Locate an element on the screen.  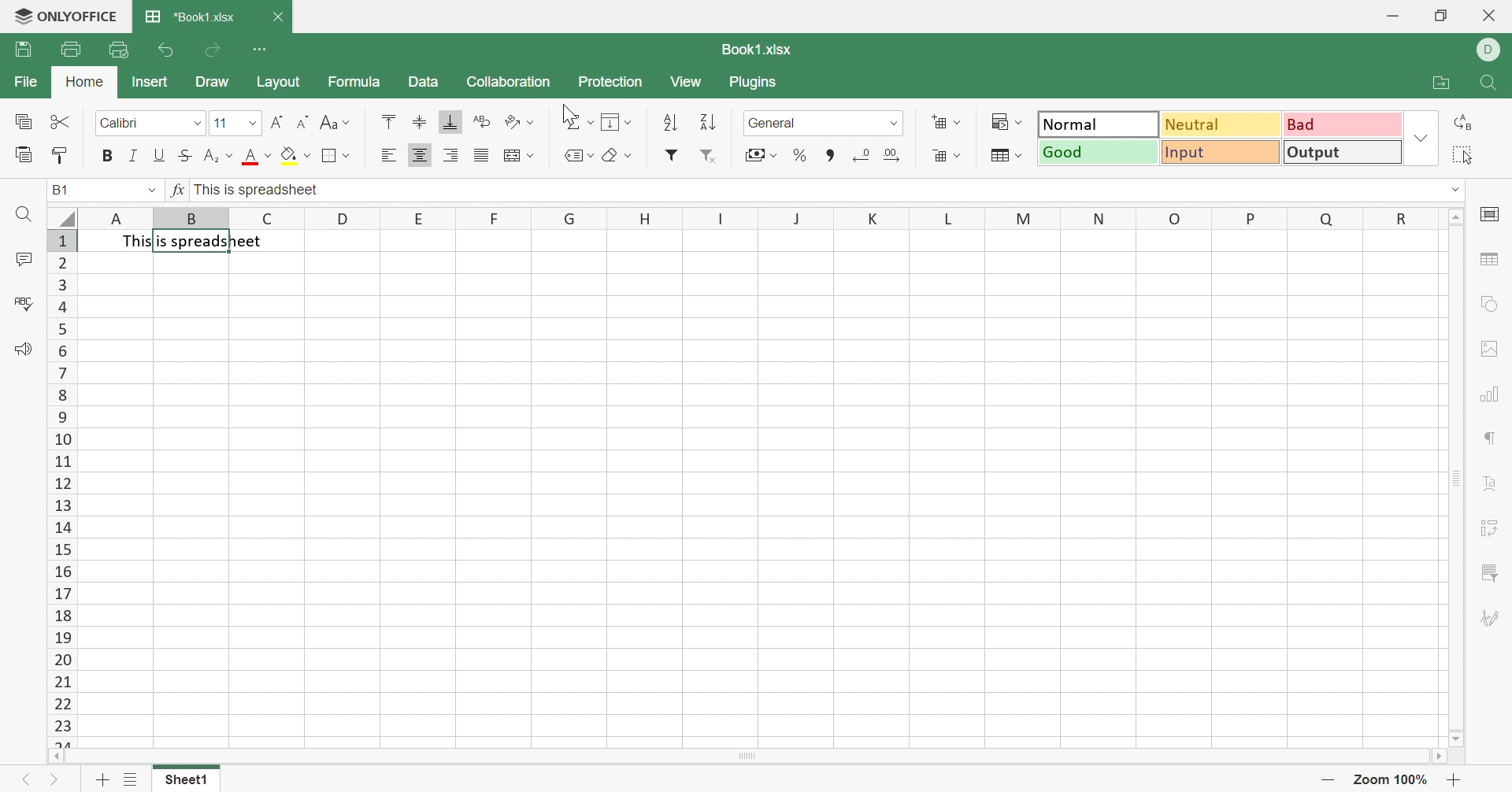
Orientation is located at coordinates (513, 121).